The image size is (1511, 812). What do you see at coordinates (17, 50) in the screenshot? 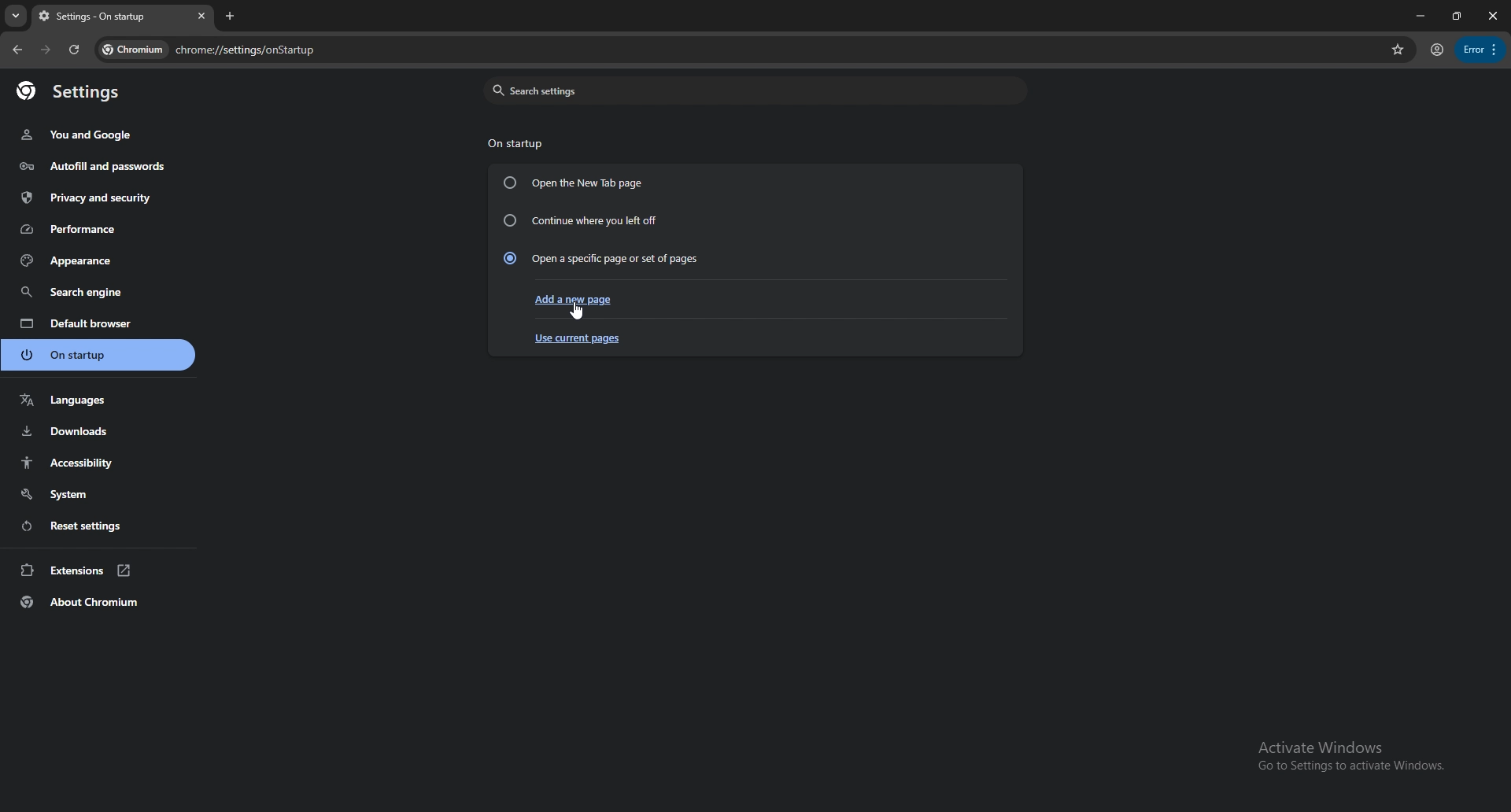
I see `back` at bounding box center [17, 50].